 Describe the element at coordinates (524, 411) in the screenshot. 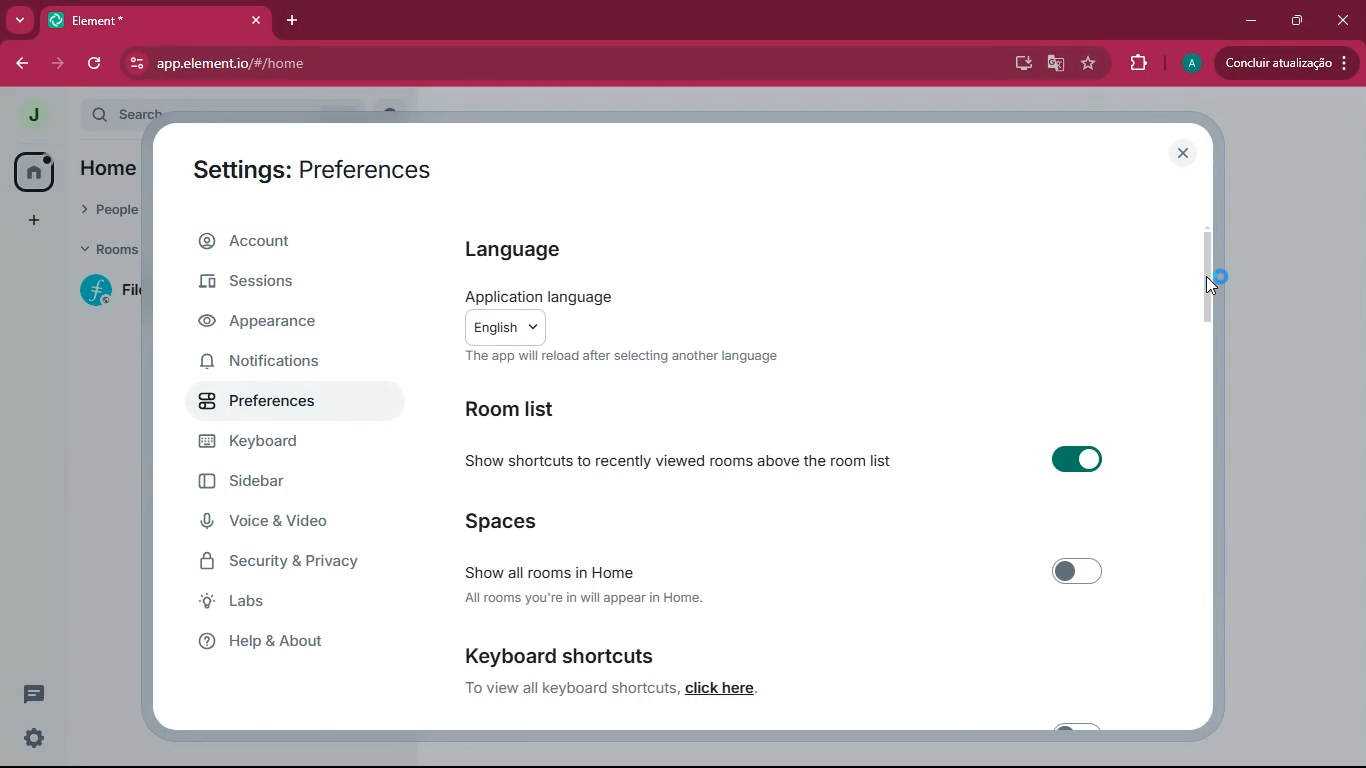

I see `room list` at that location.